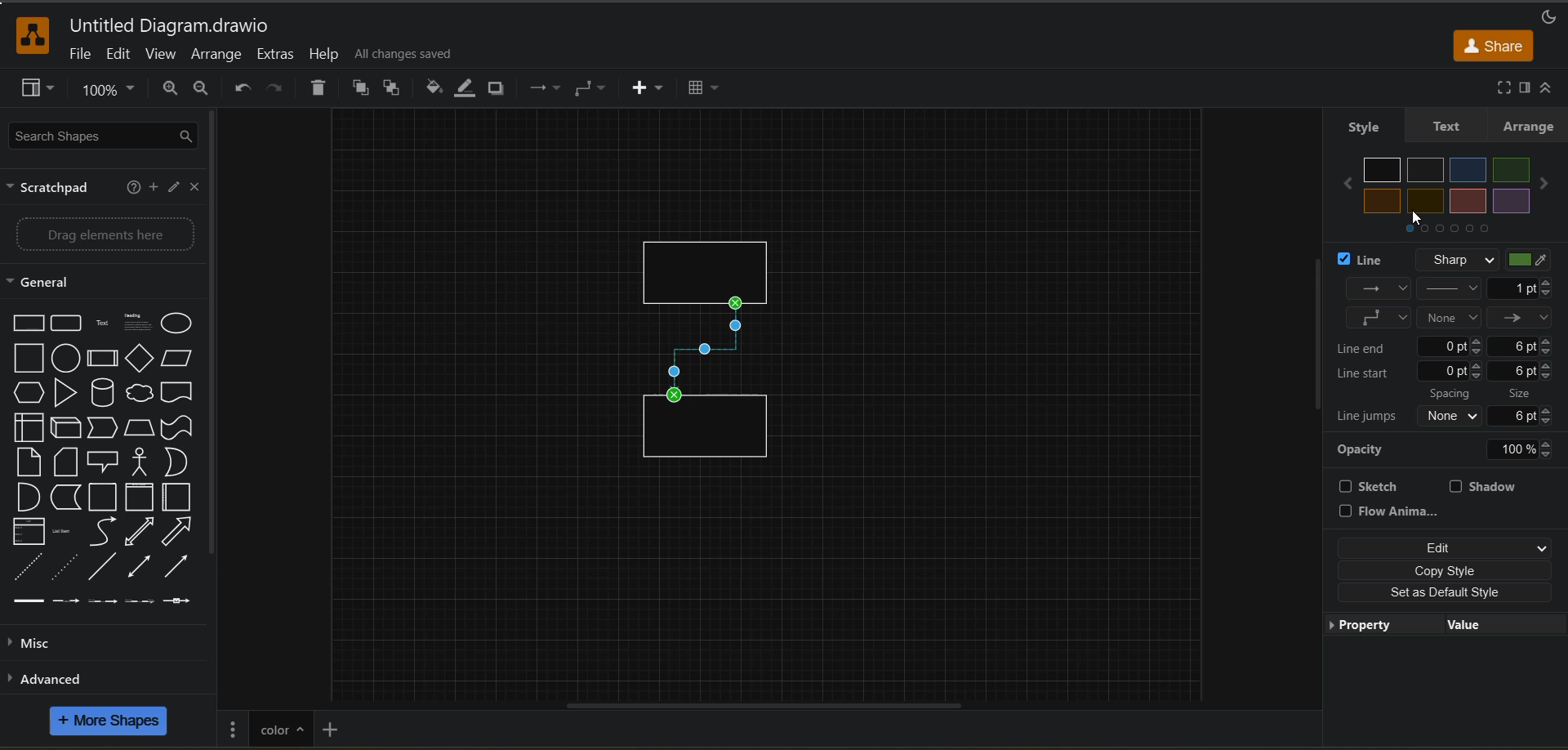  What do you see at coordinates (1450, 448) in the screenshot?
I see `opacity` at bounding box center [1450, 448].